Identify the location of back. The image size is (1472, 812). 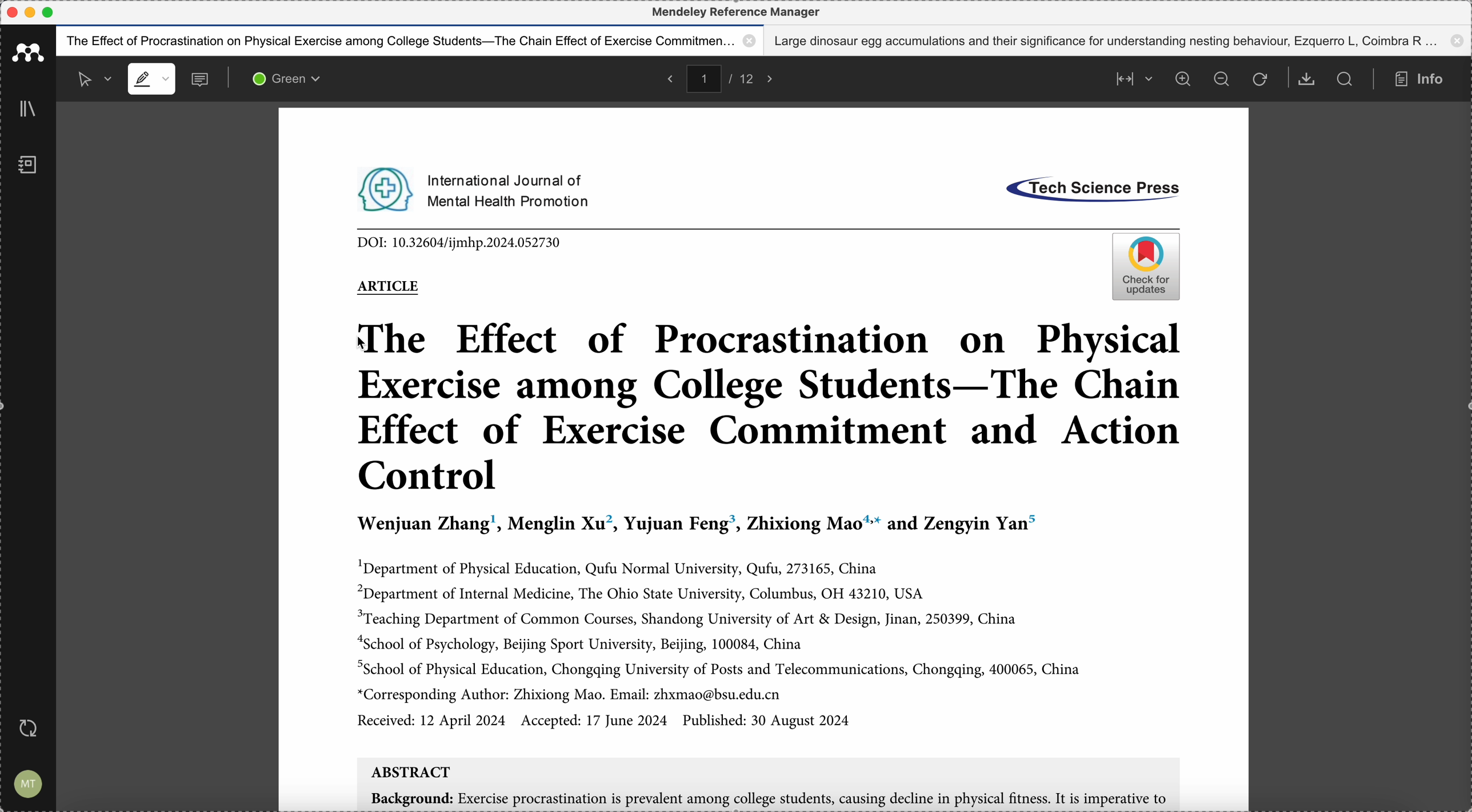
(668, 78).